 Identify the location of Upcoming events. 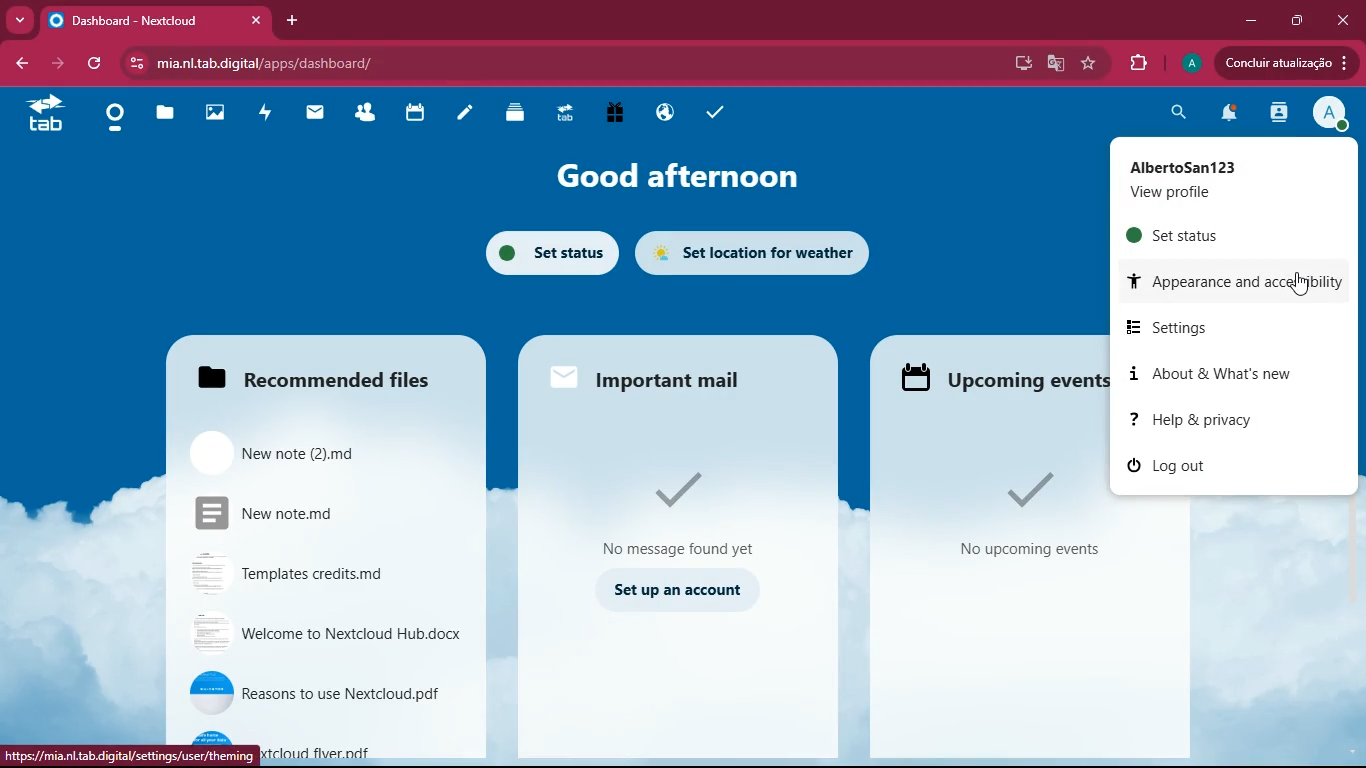
(1002, 376).